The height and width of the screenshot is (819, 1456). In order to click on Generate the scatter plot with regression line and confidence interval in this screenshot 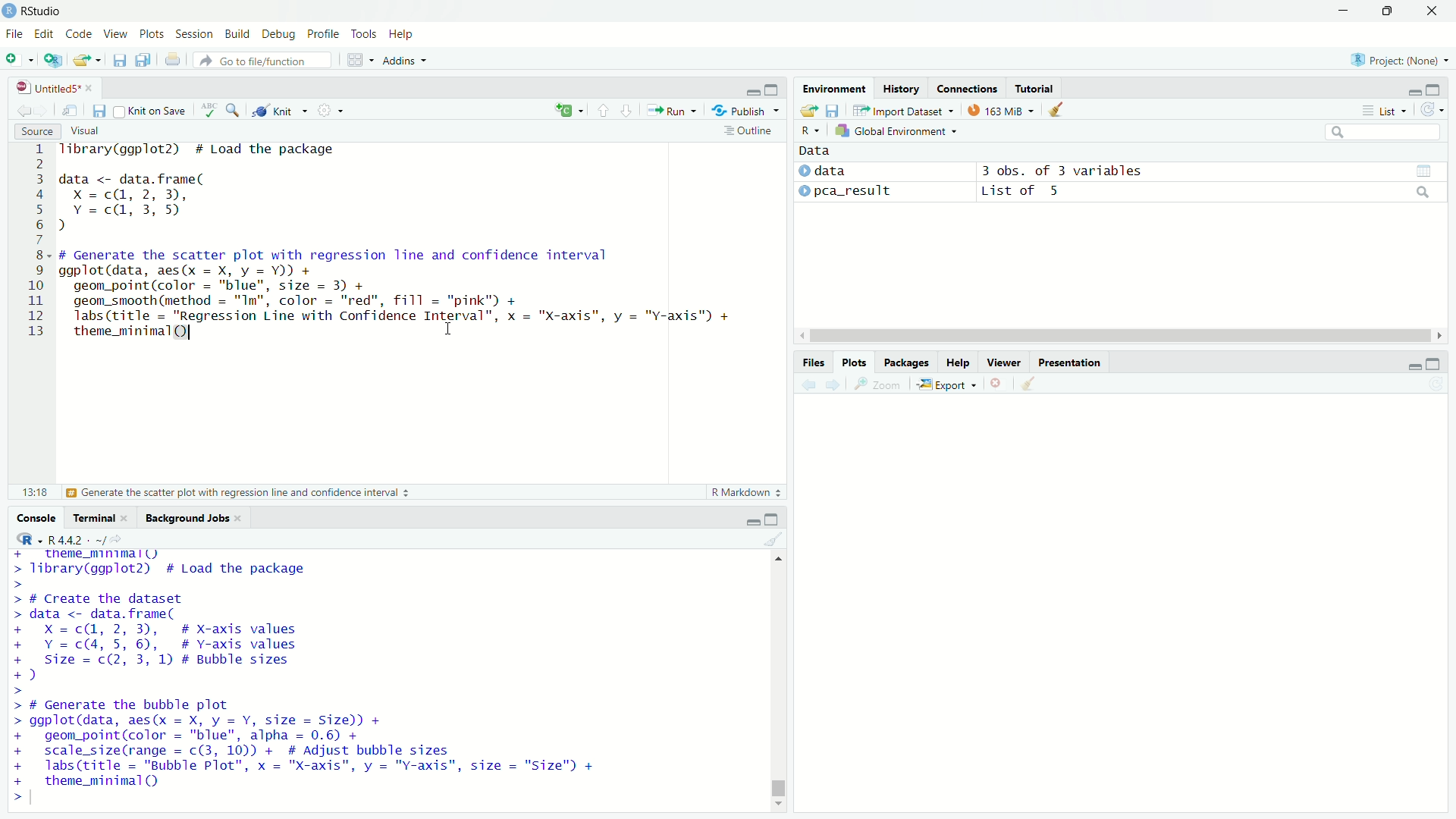, I will do `click(239, 492)`.